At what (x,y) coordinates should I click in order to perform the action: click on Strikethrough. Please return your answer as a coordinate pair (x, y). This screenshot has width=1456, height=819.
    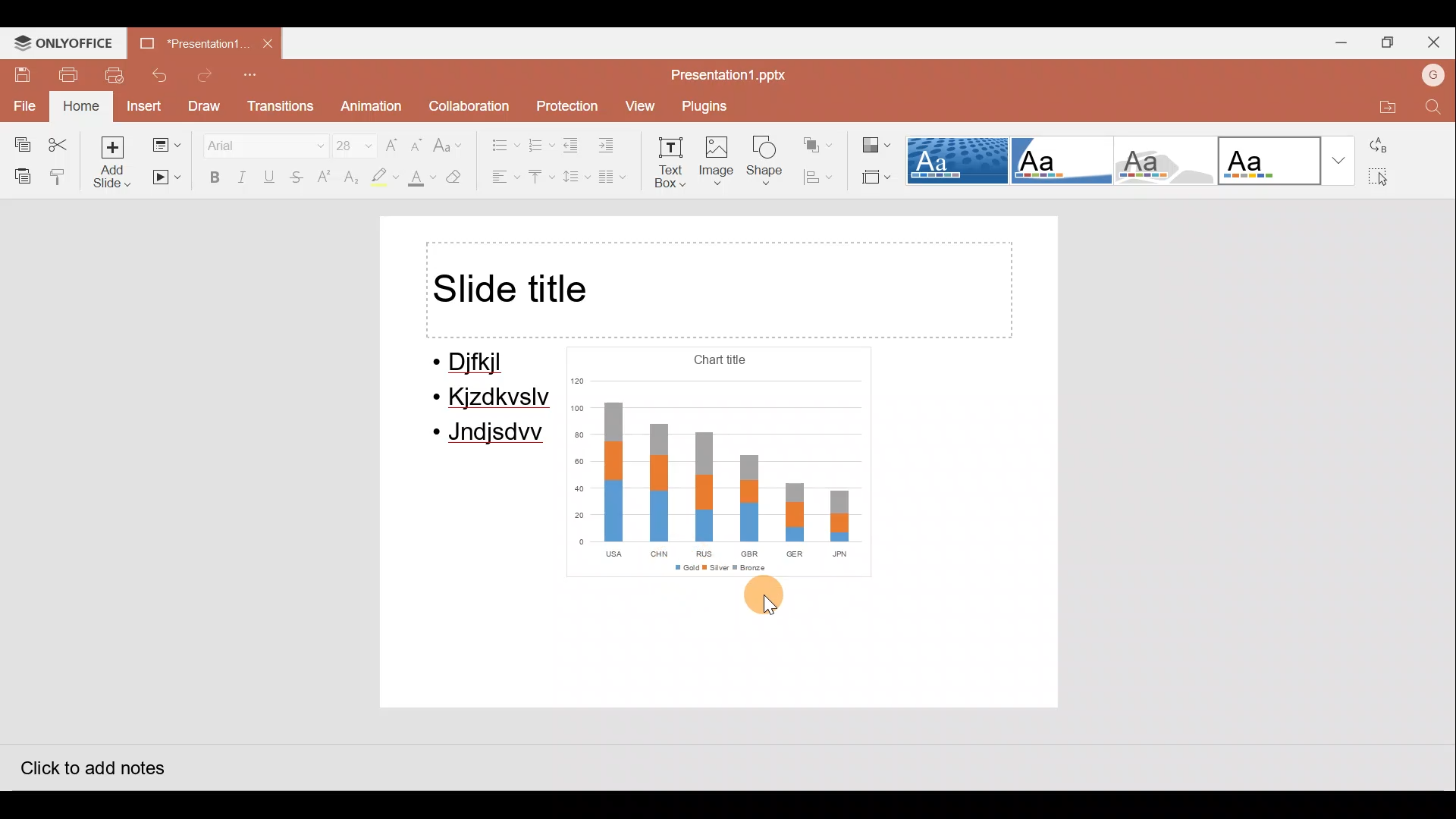
    Looking at the image, I should click on (298, 179).